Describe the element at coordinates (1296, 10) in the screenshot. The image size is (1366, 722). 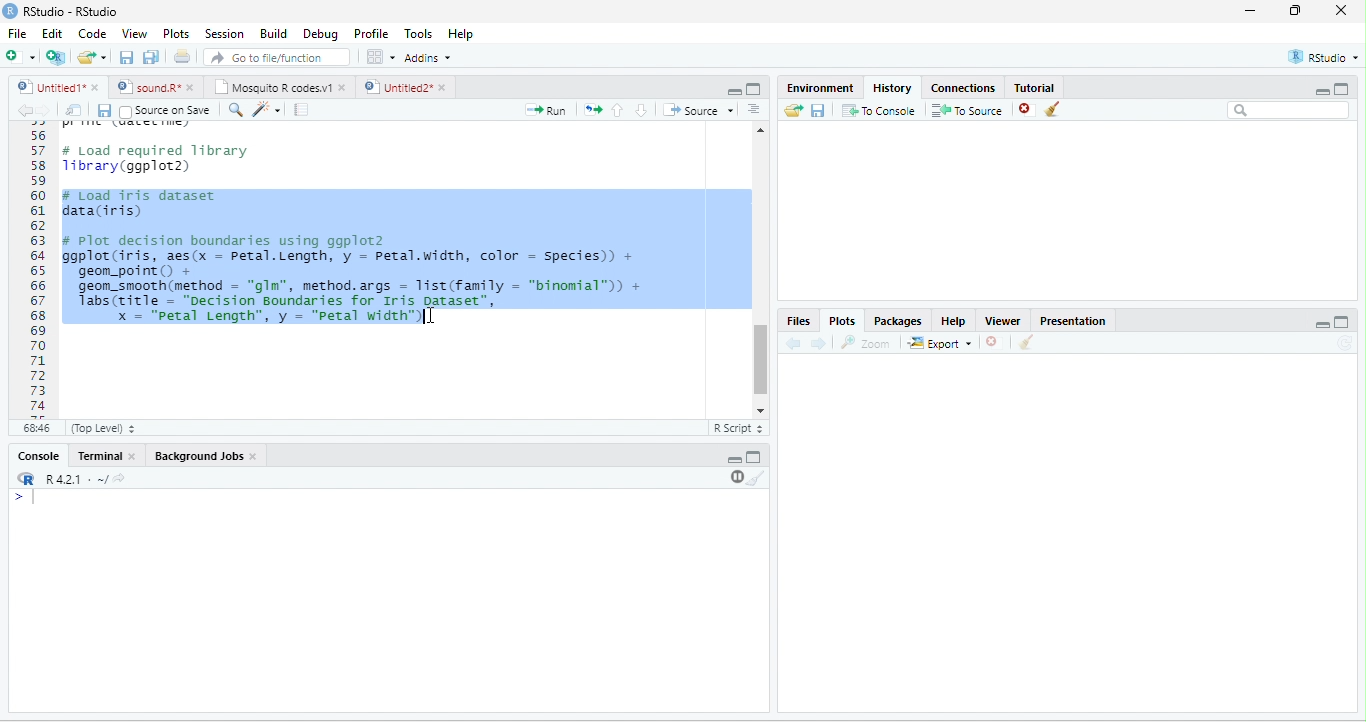
I see `resize` at that location.